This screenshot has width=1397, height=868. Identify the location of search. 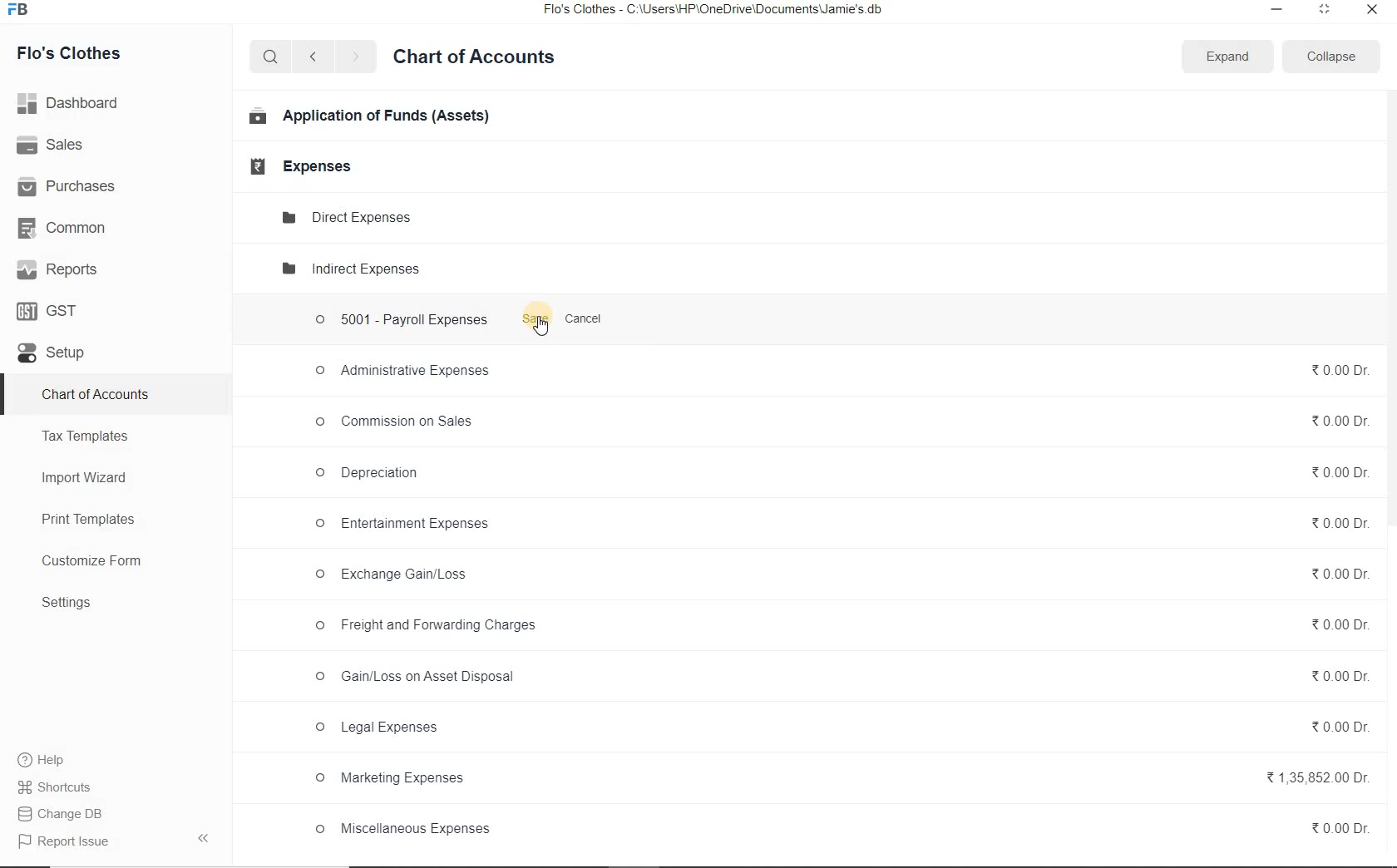
(268, 57).